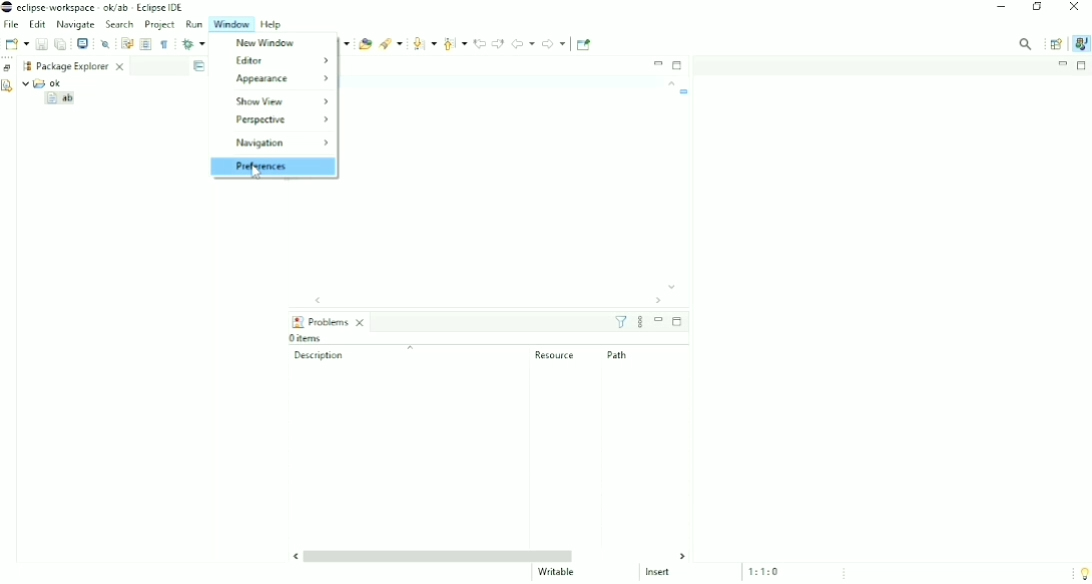  Describe the element at coordinates (62, 100) in the screenshot. I see `ab` at that location.